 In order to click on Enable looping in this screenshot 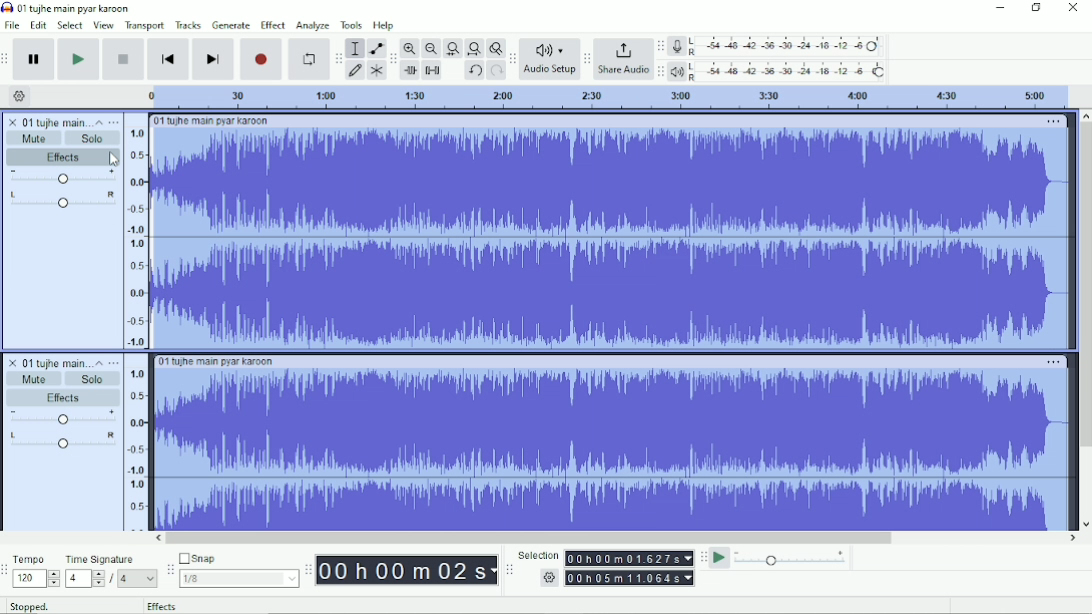, I will do `click(309, 59)`.